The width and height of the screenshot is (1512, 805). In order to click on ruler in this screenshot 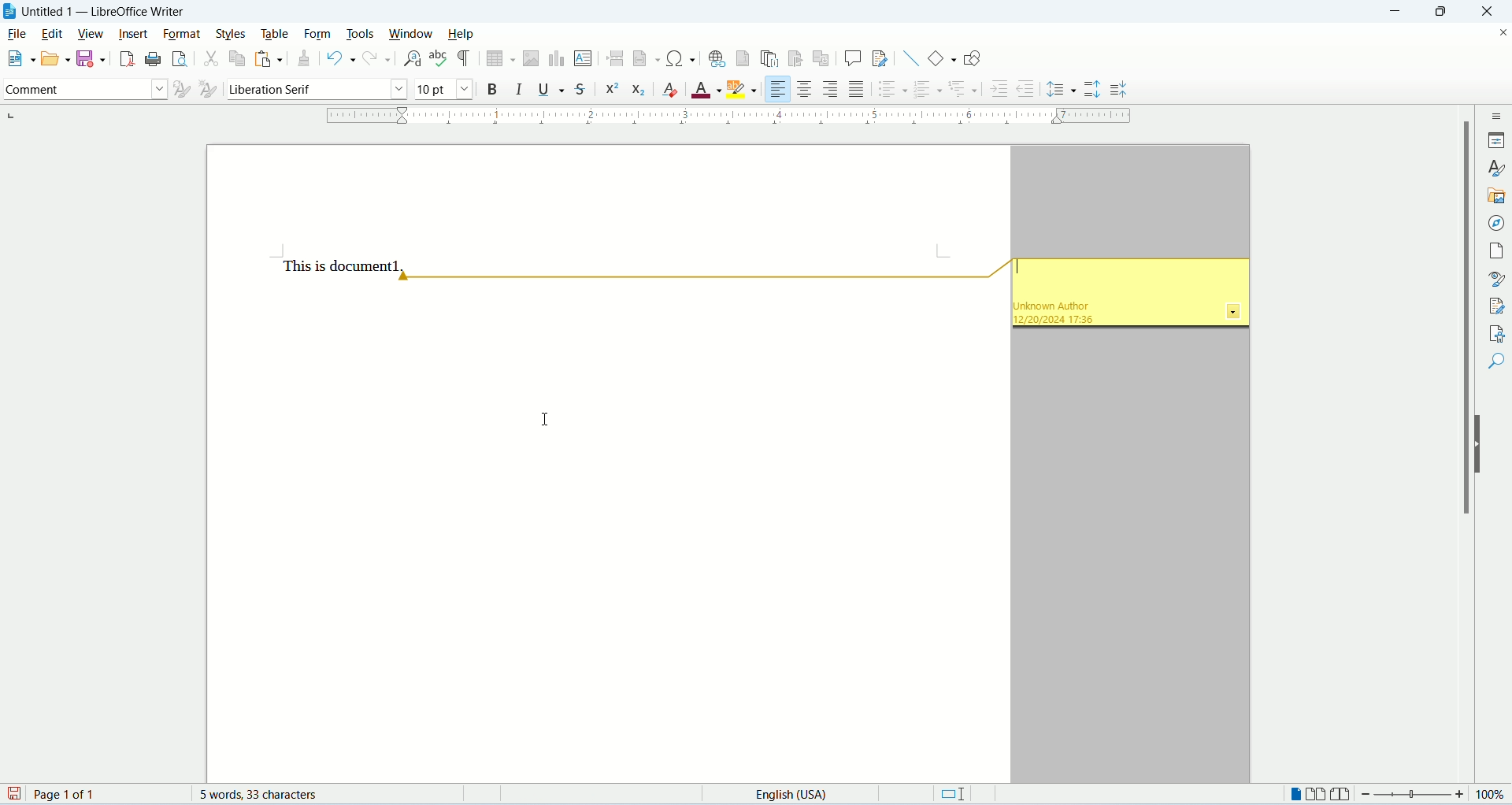, I will do `click(733, 116)`.